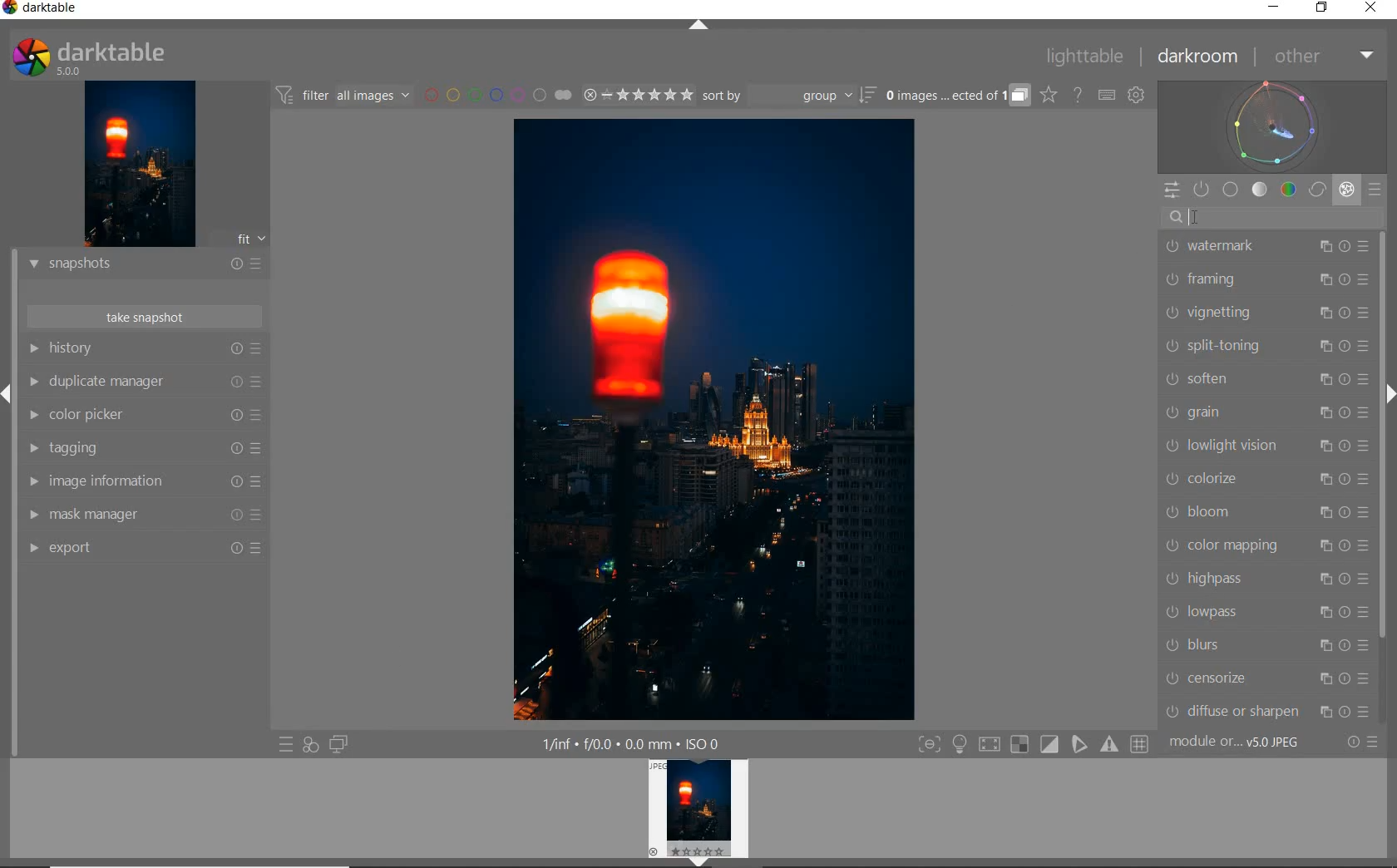  What do you see at coordinates (1345, 678) in the screenshot?
I see `Reset` at bounding box center [1345, 678].